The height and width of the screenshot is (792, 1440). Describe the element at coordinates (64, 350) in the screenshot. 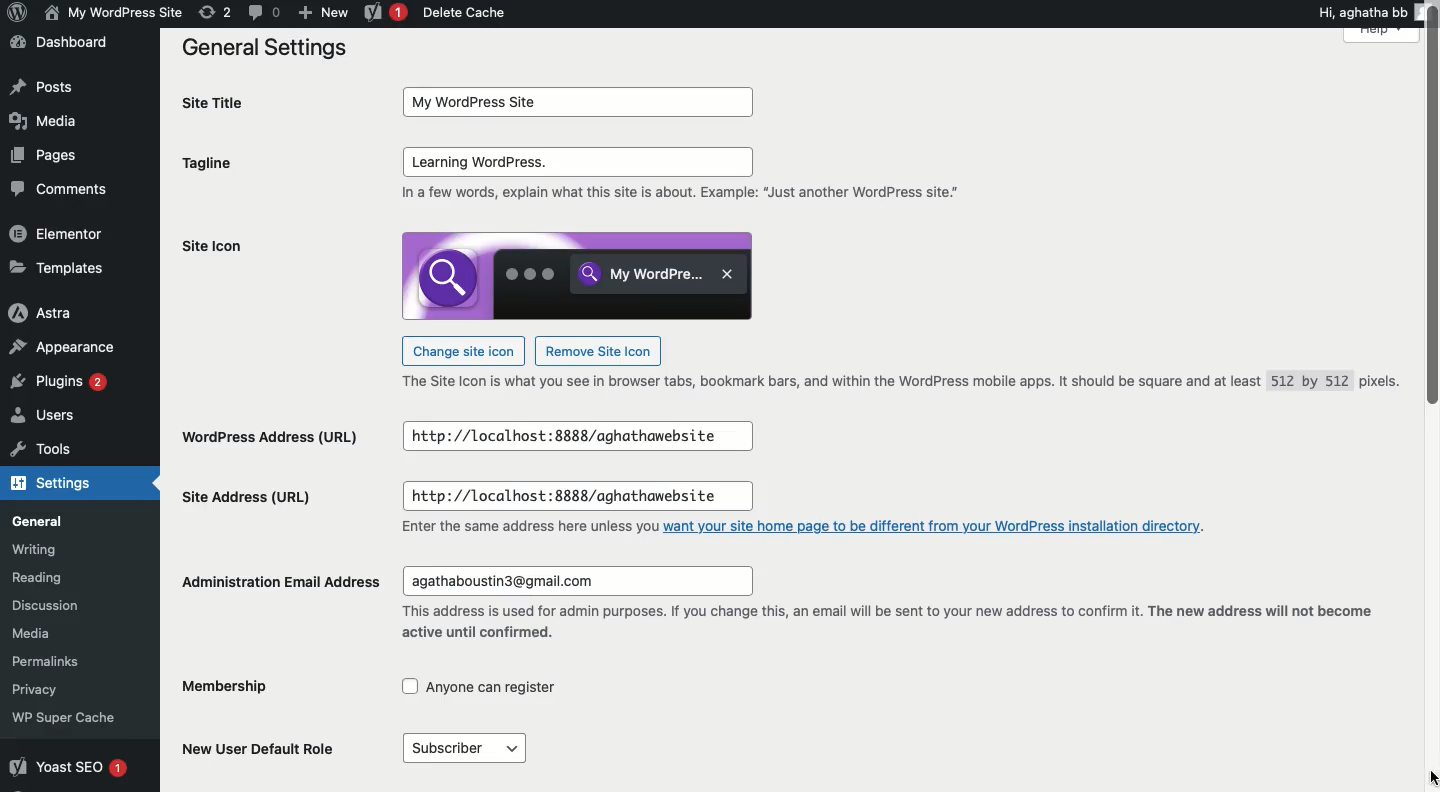

I see `Appearance` at that location.